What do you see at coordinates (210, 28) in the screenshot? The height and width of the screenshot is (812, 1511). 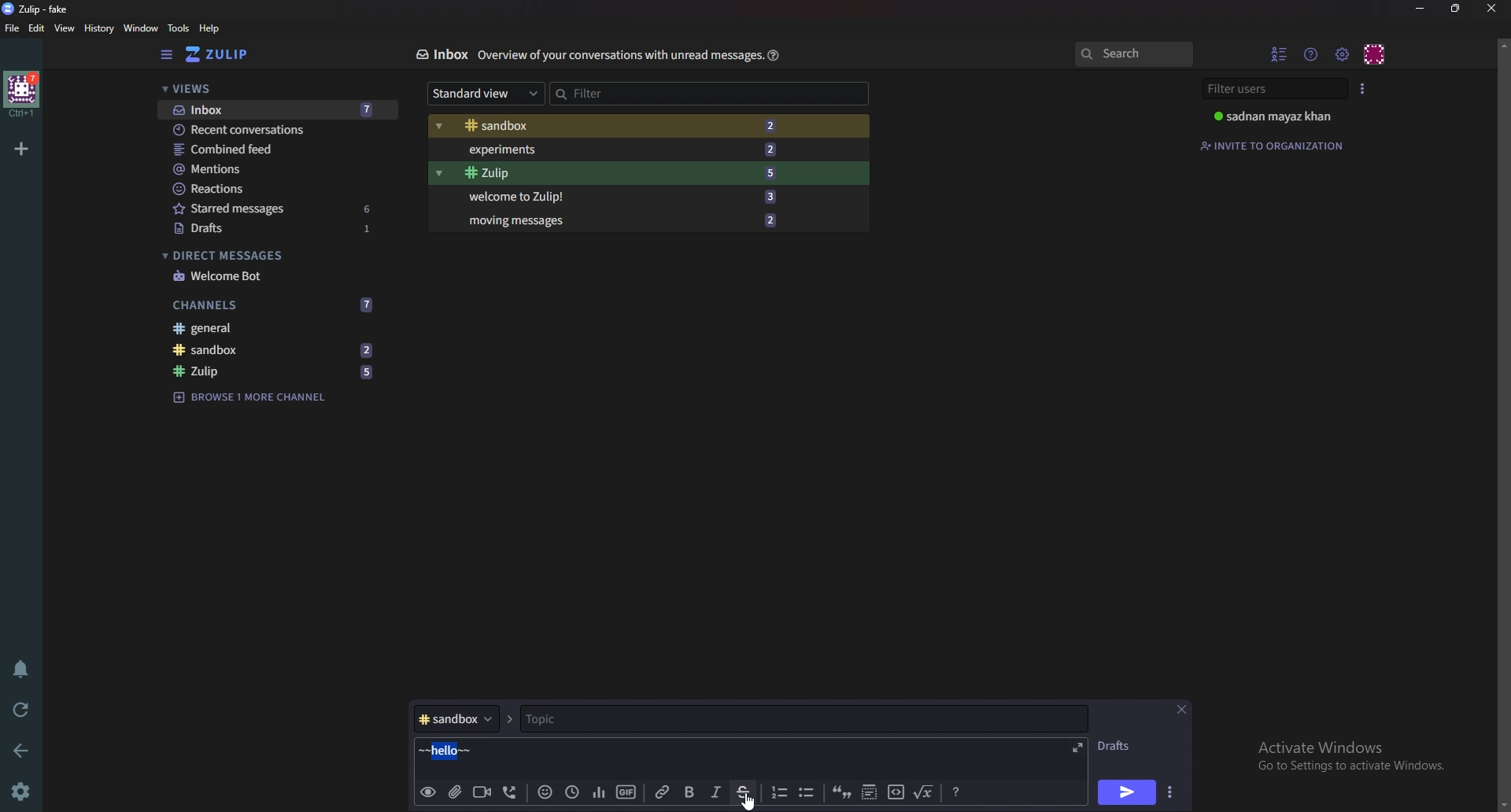 I see `help` at bounding box center [210, 28].